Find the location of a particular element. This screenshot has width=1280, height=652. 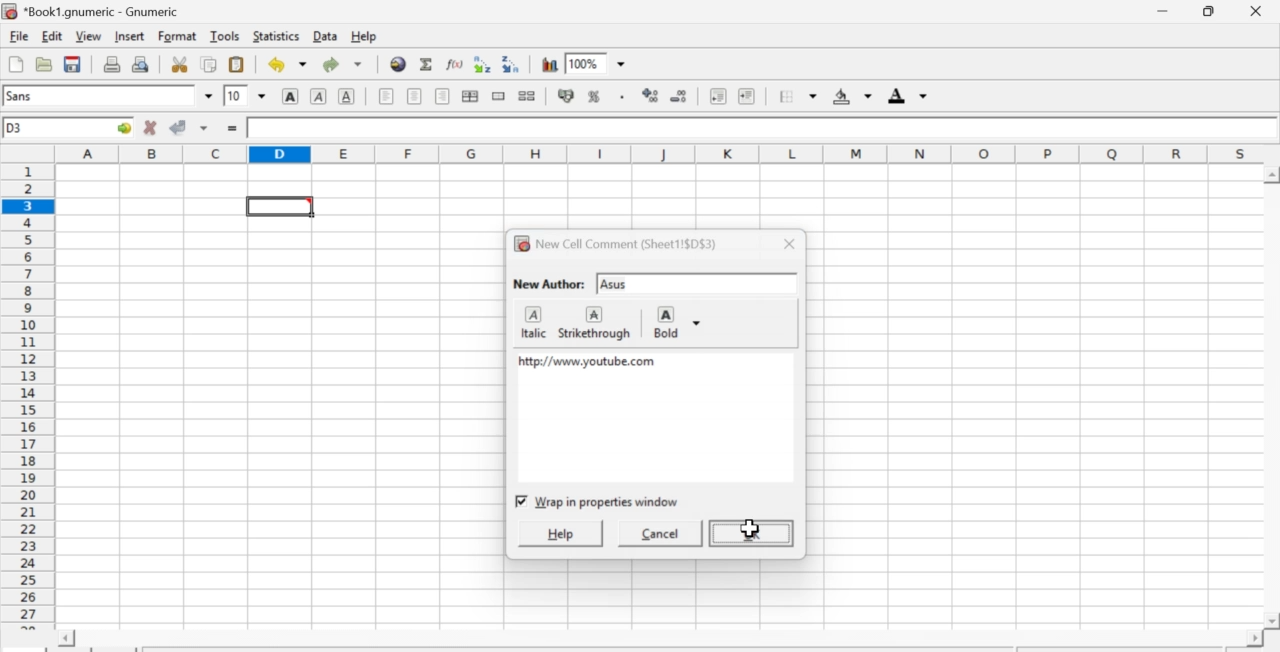

Minimize/Maximize is located at coordinates (1210, 12).